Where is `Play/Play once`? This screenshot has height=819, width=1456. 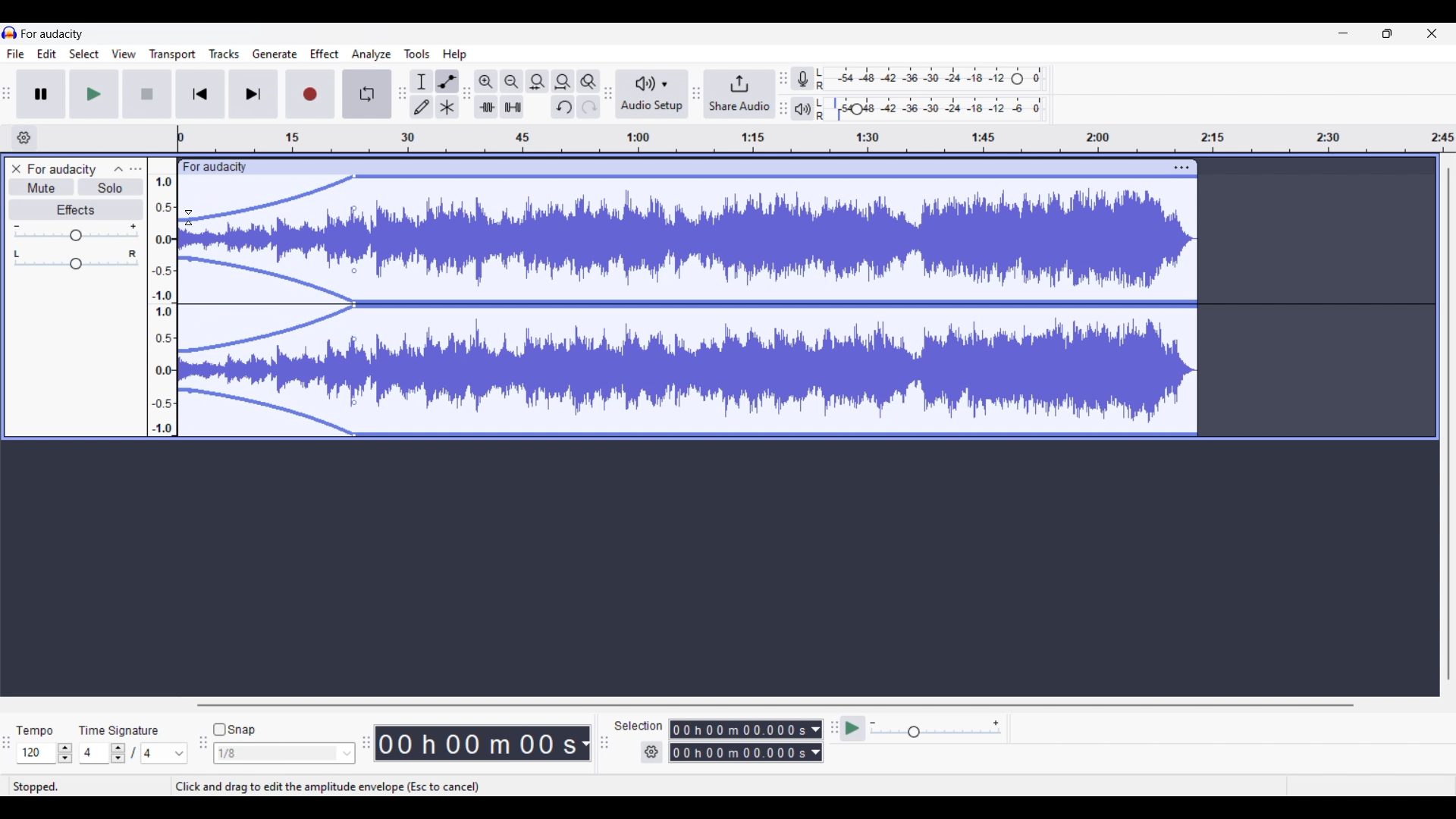
Play/Play once is located at coordinates (95, 94).